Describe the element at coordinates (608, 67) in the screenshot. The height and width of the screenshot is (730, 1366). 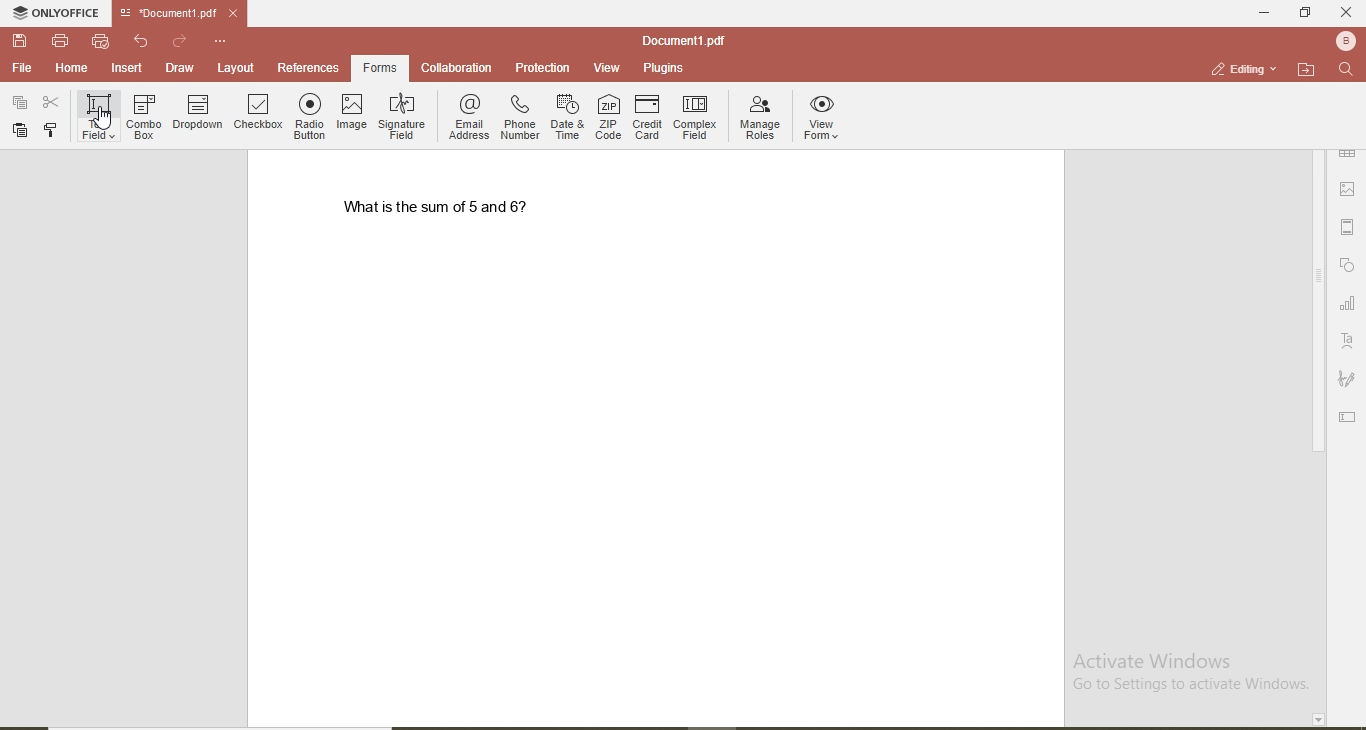
I see `view` at that location.